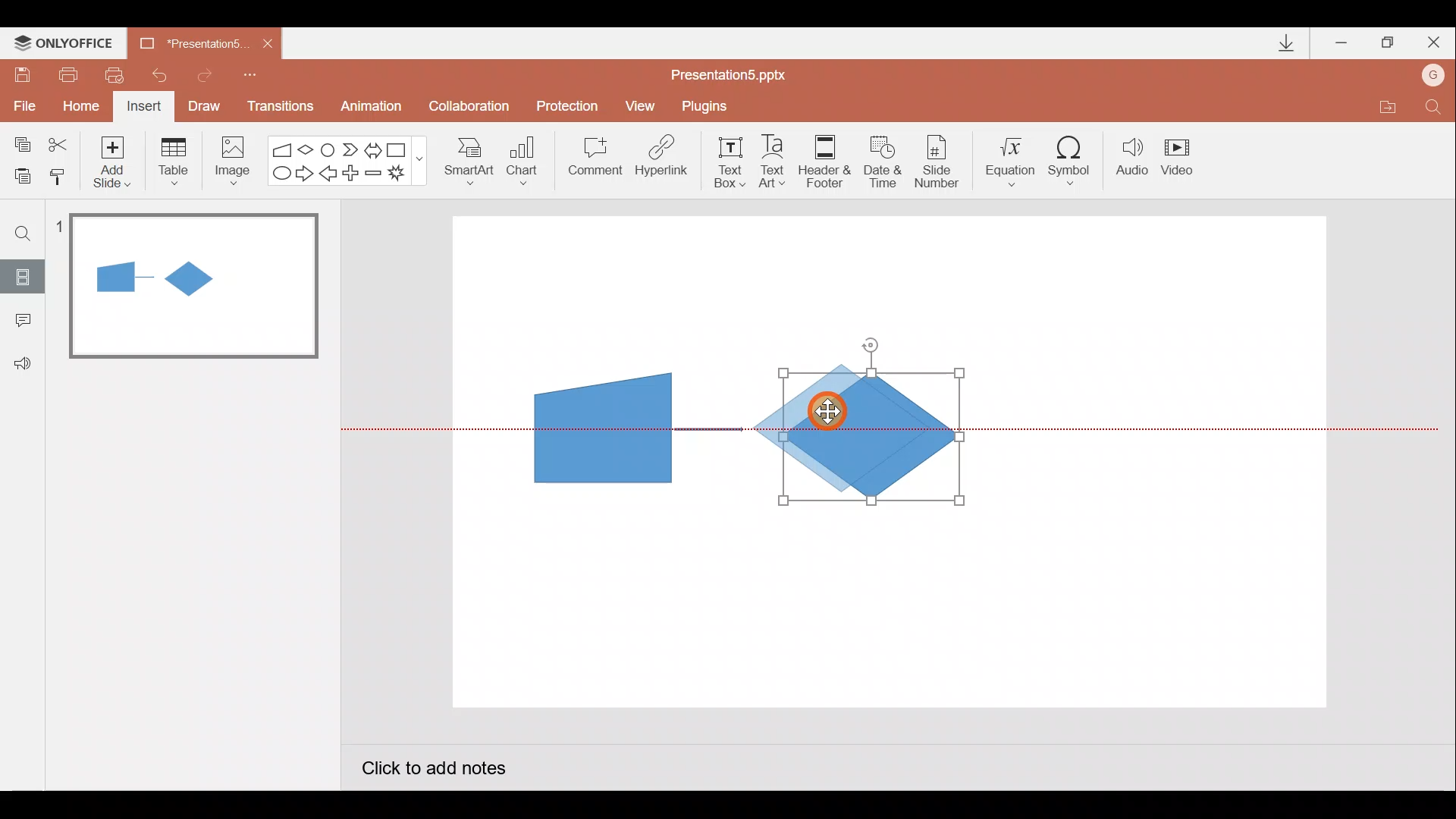 This screenshot has width=1456, height=819. What do you see at coordinates (941, 162) in the screenshot?
I see `Slide number` at bounding box center [941, 162].